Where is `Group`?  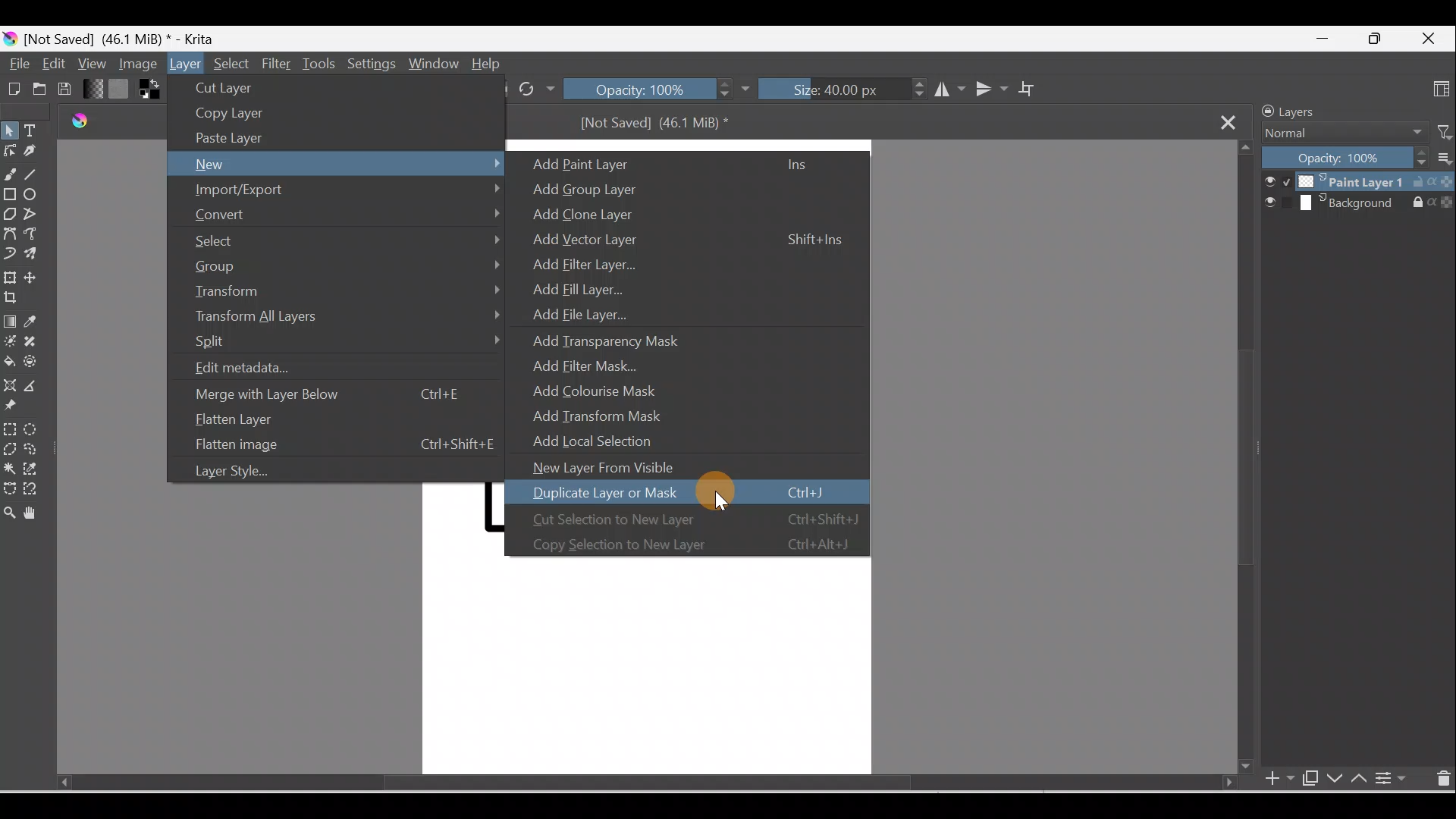 Group is located at coordinates (345, 265).